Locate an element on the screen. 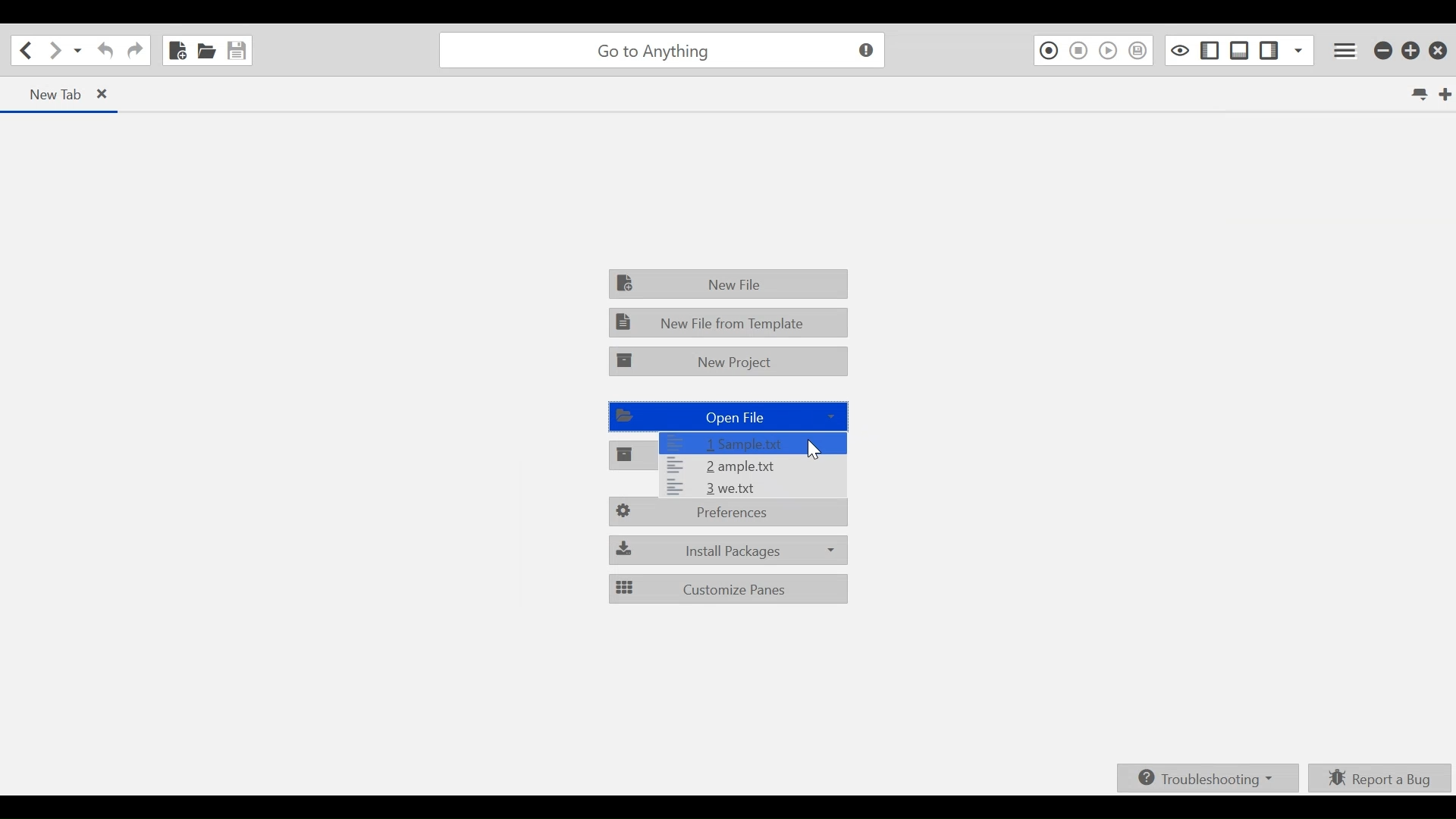 Image resolution: width=1456 pixels, height=819 pixels. Cursor is located at coordinates (821, 454).